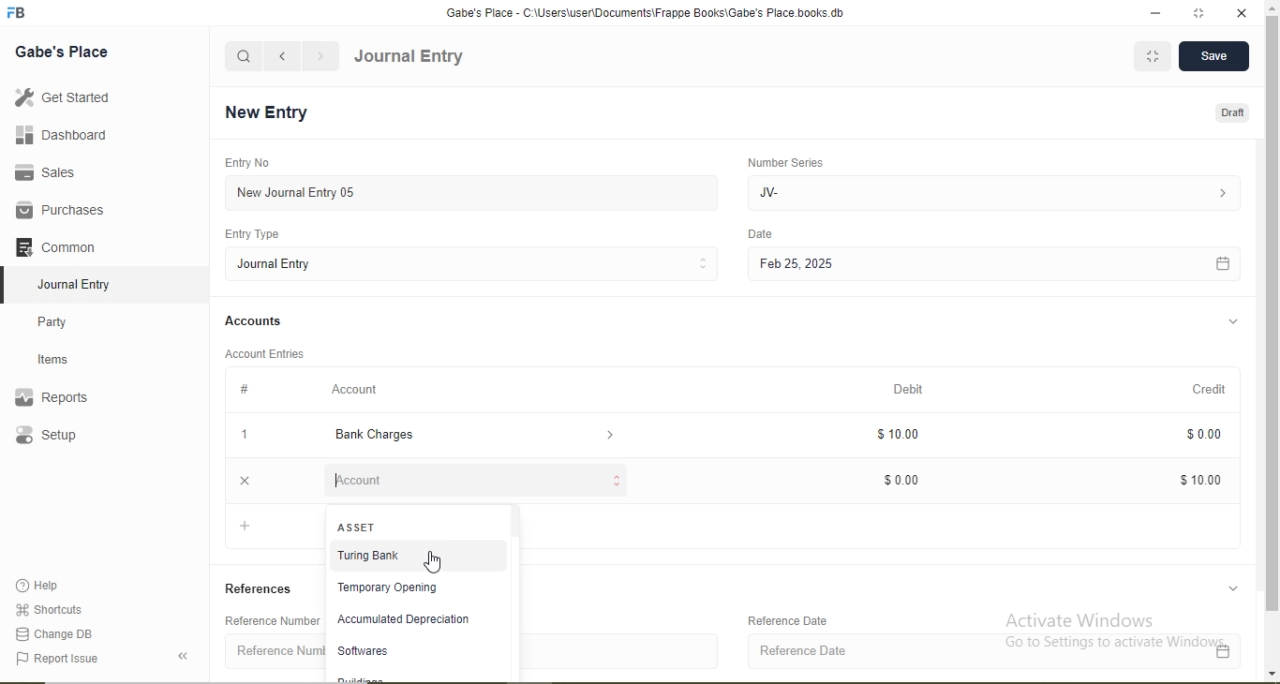 Image resolution: width=1280 pixels, height=684 pixels. I want to click on Number Series, so click(792, 162).